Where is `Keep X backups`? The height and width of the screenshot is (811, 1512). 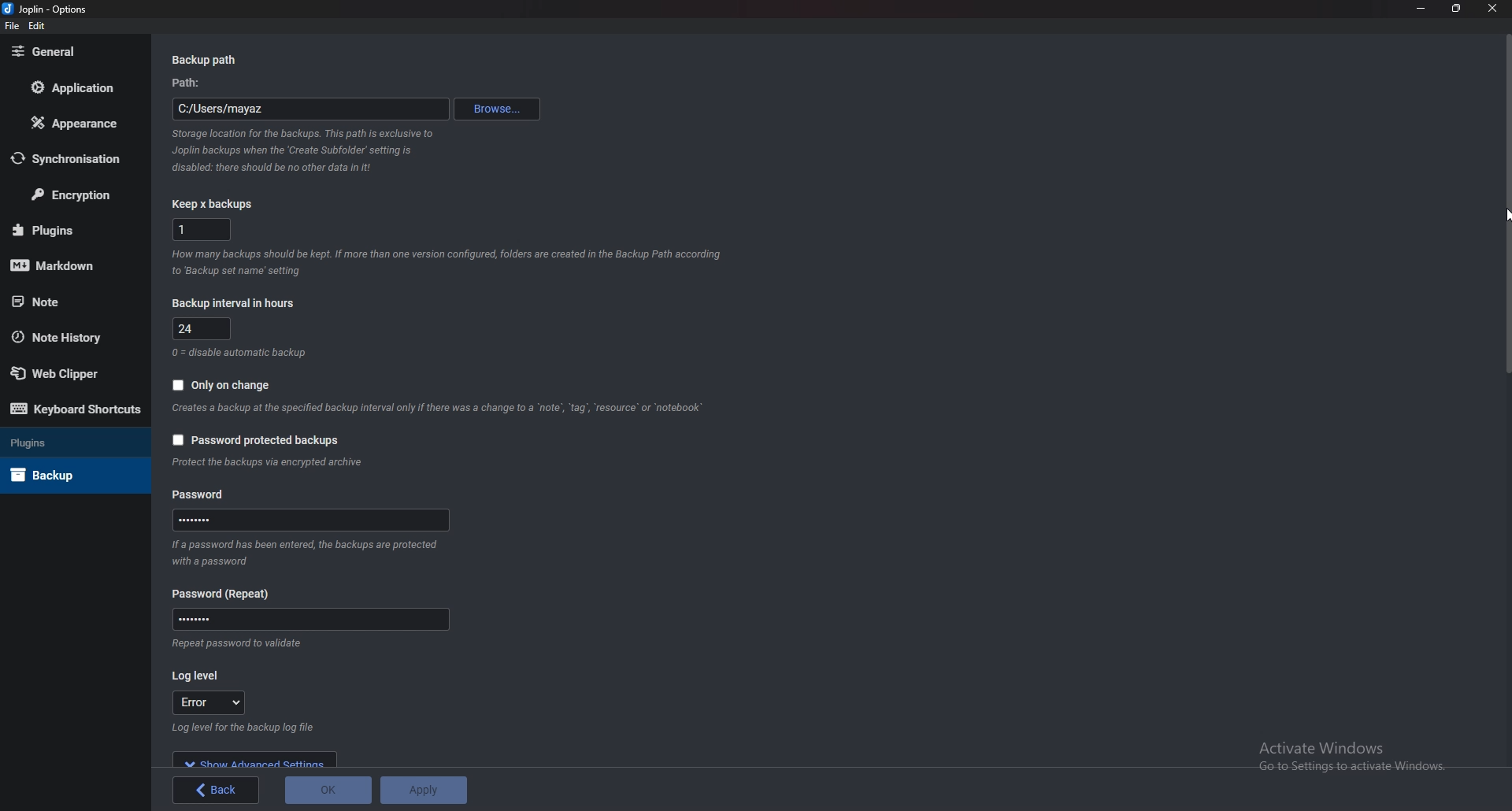 Keep X backups is located at coordinates (212, 204).